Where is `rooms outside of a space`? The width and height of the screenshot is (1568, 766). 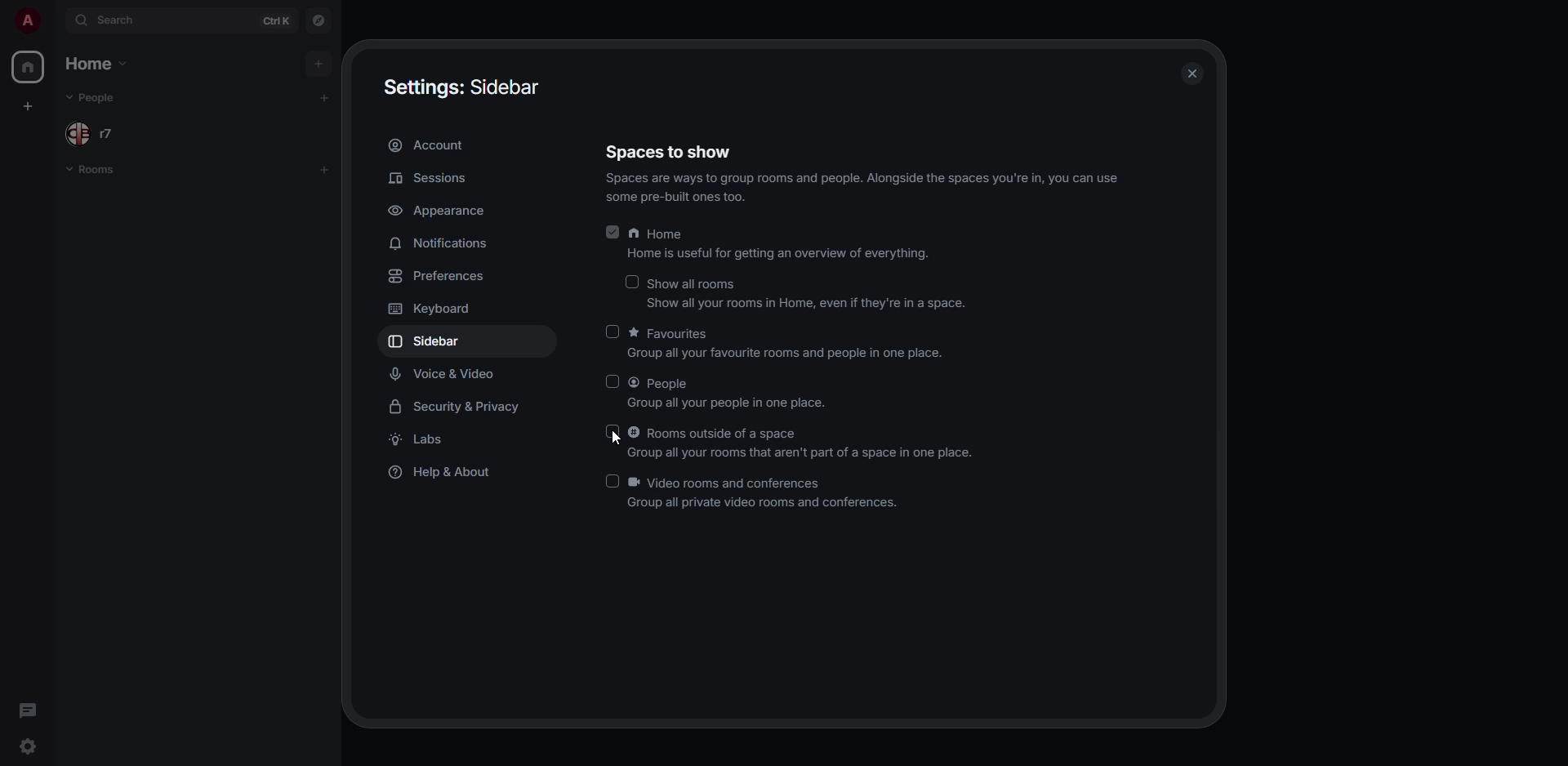 rooms outside of a space is located at coordinates (800, 444).